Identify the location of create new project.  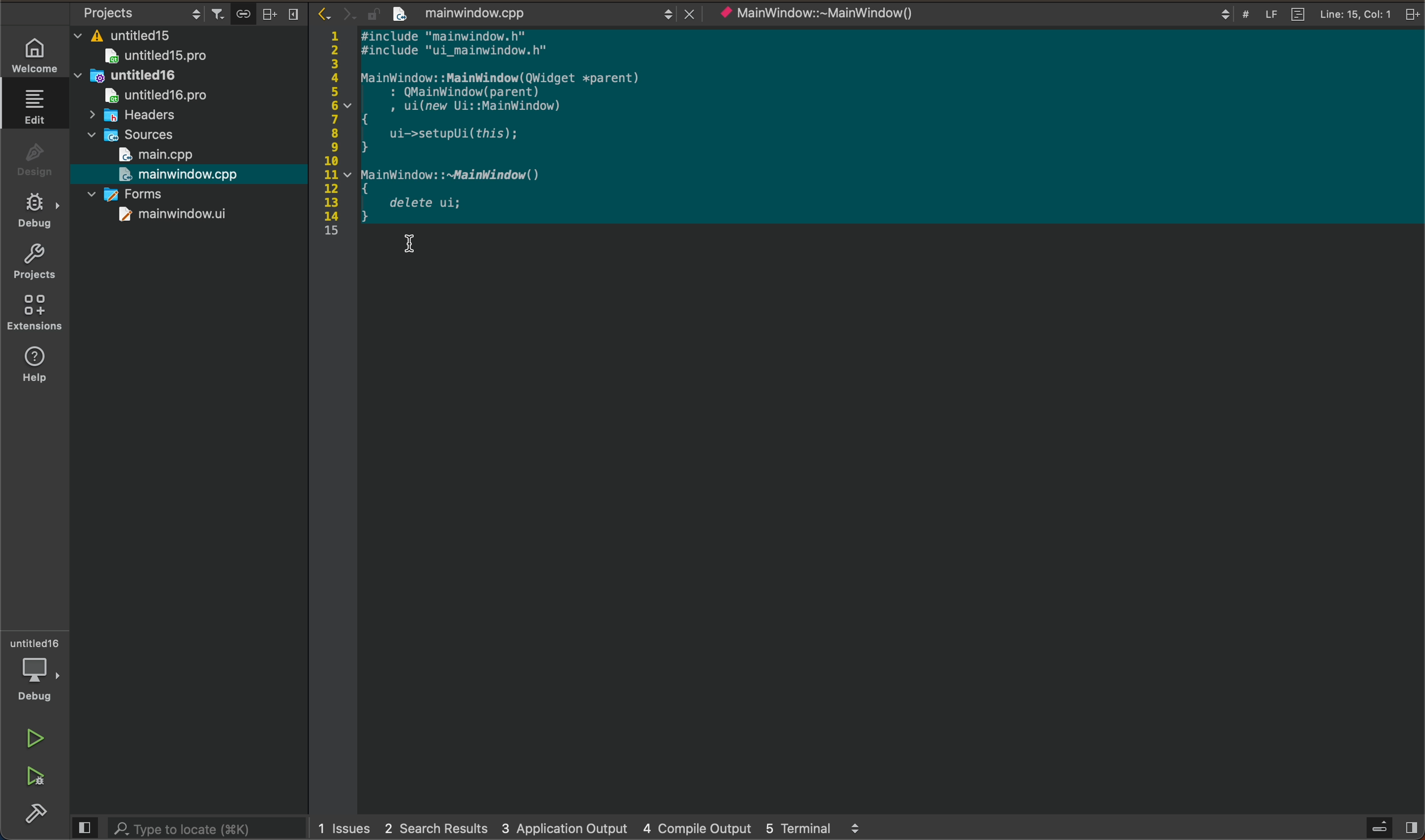
(401, 14).